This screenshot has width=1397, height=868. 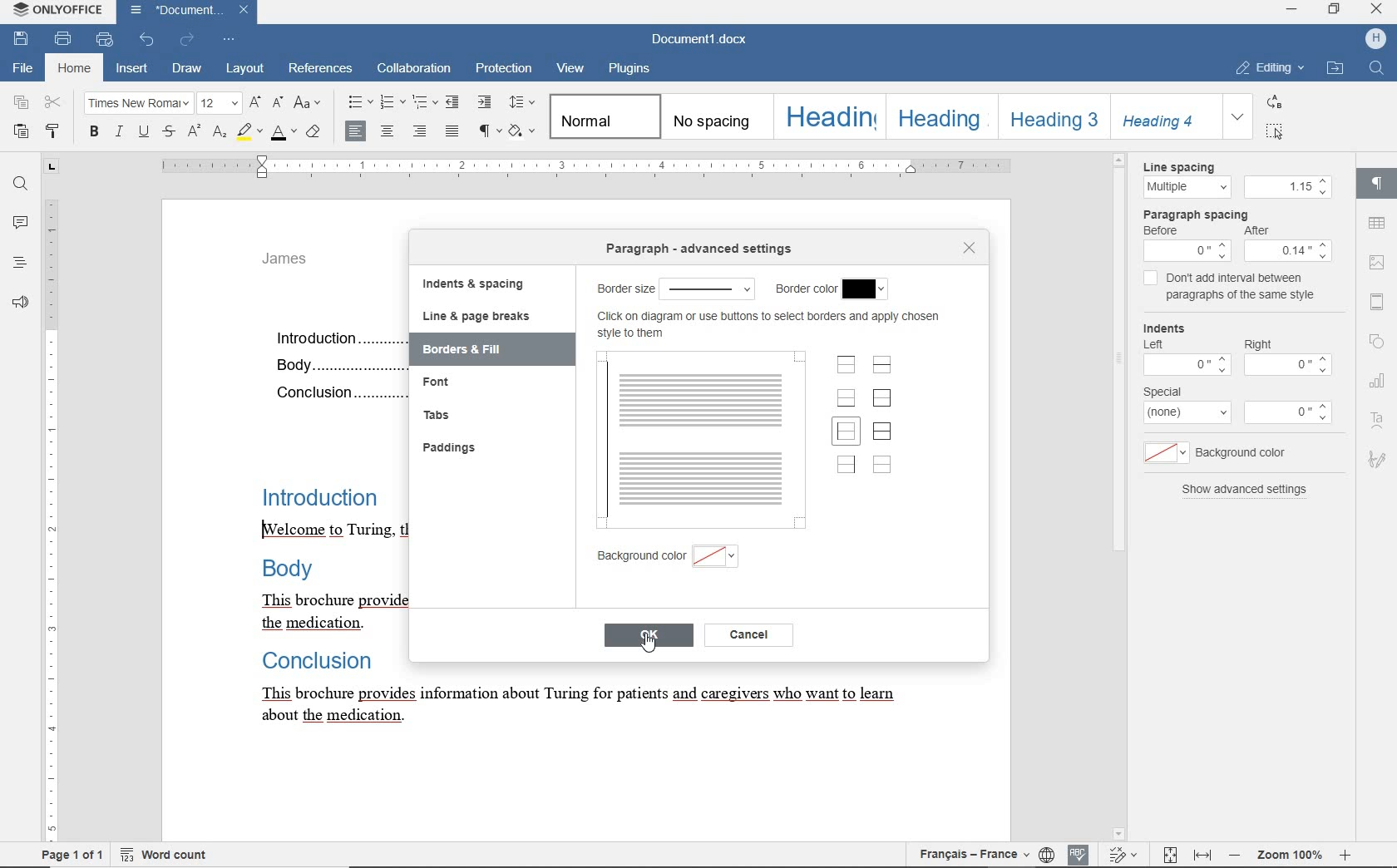 What do you see at coordinates (187, 39) in the screenshot?
I see `redo` at bounding box center [187, 39].